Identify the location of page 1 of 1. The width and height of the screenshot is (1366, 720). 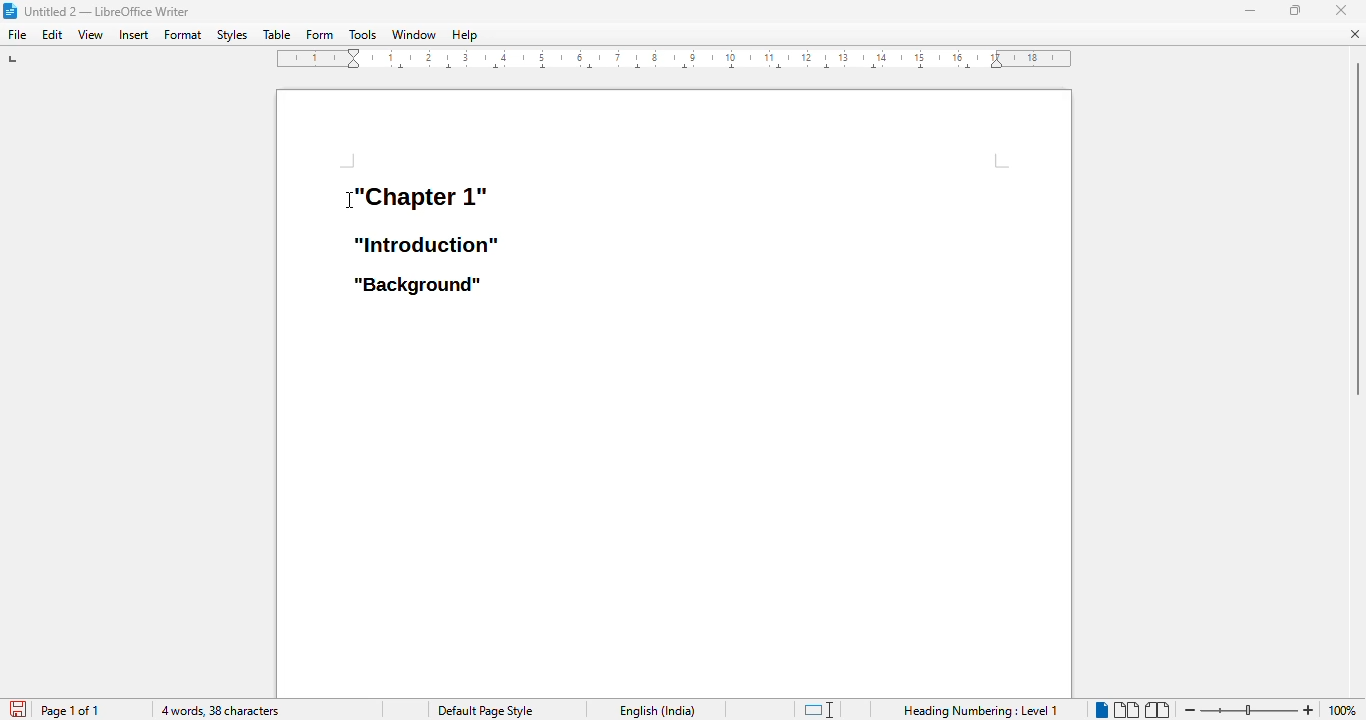
(71, 710).